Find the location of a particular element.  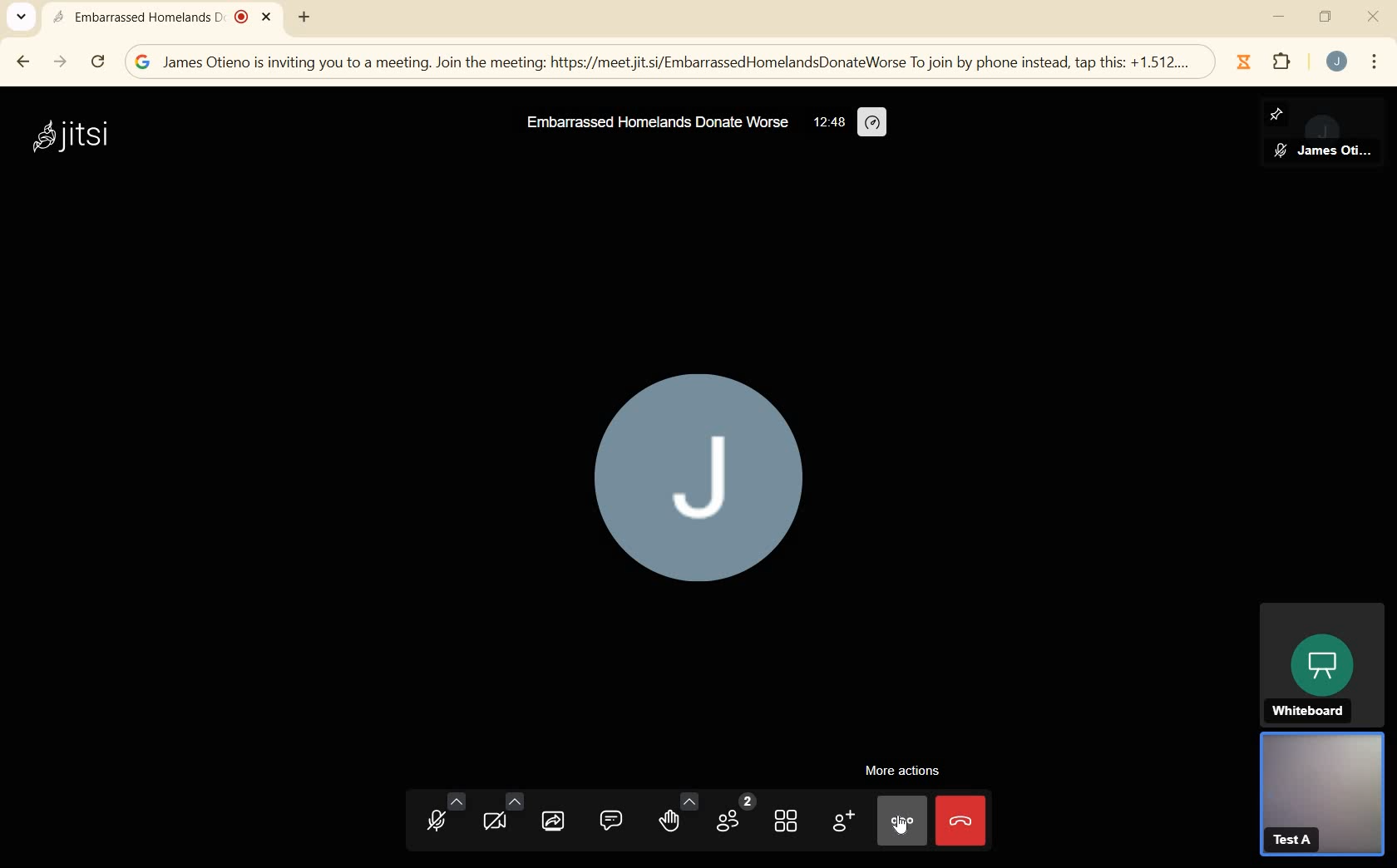

camera is located at coordinates (501, 814).